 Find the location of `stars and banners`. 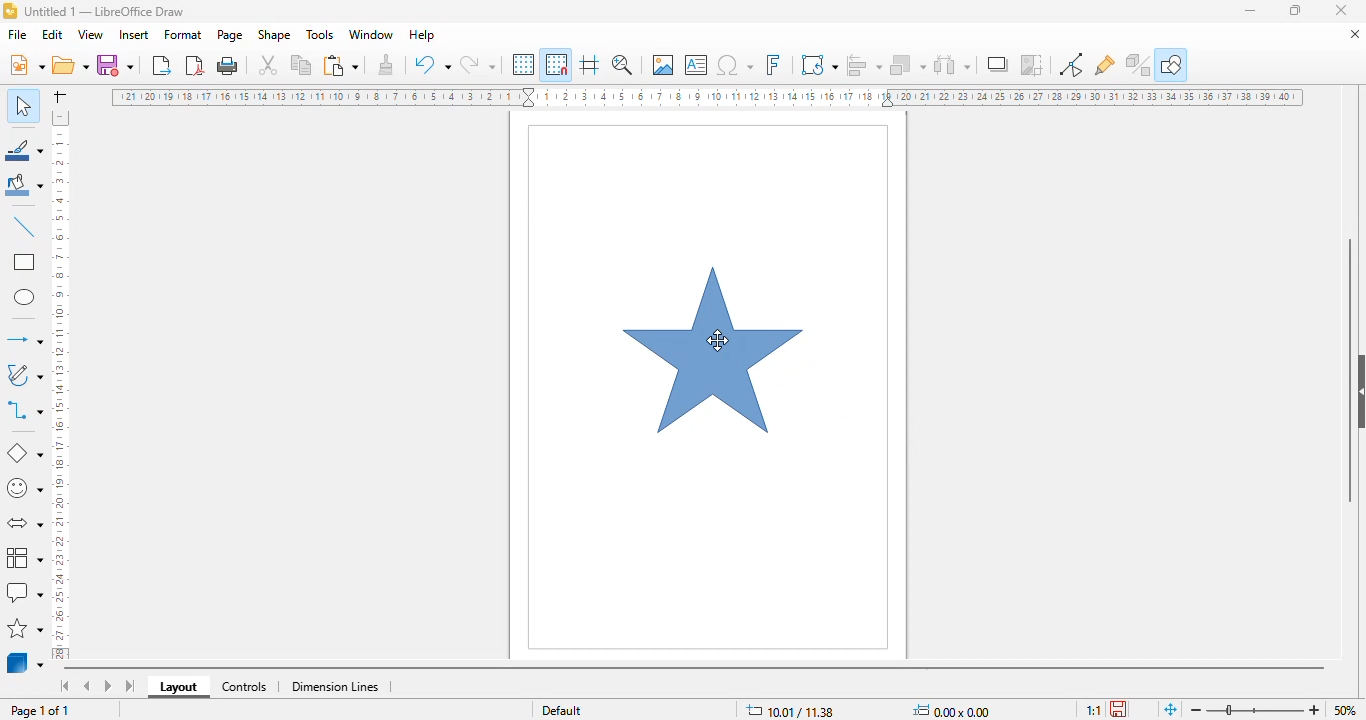

stars and banners is located at coordinates (25, 629).